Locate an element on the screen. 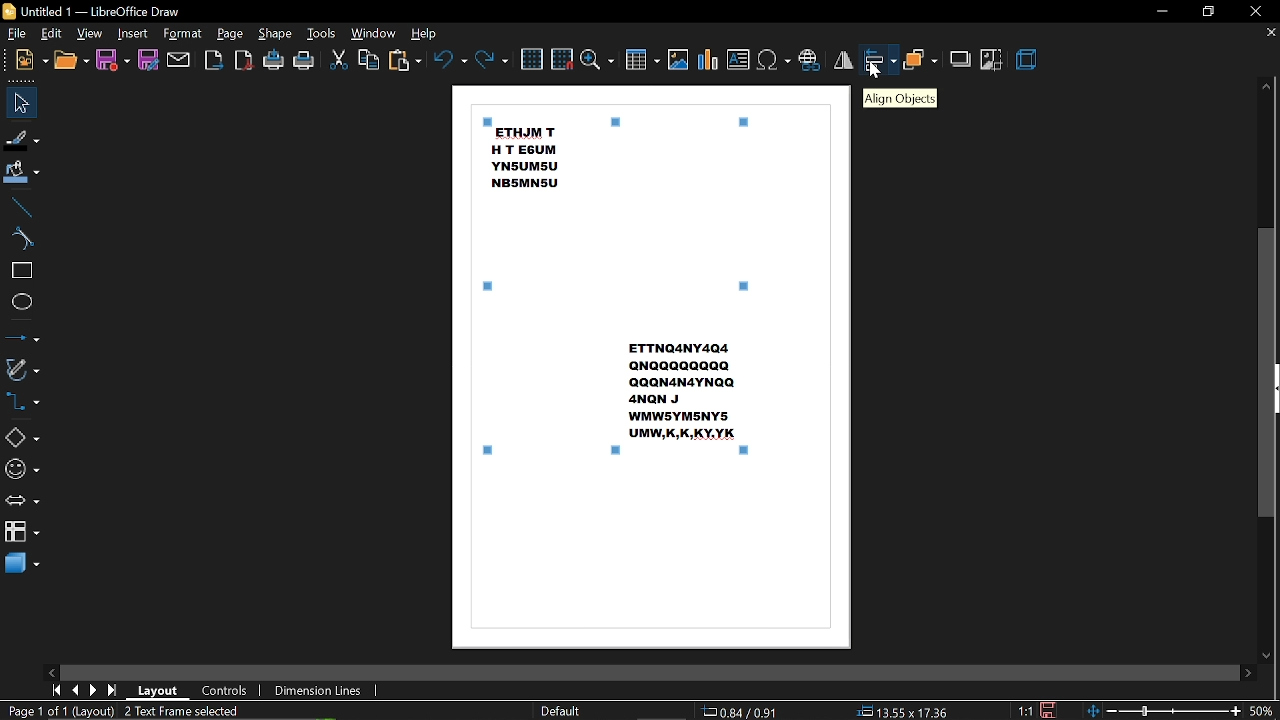 This screenshot has width=1280, height=720. copy  is located at coordinates (369, 59).